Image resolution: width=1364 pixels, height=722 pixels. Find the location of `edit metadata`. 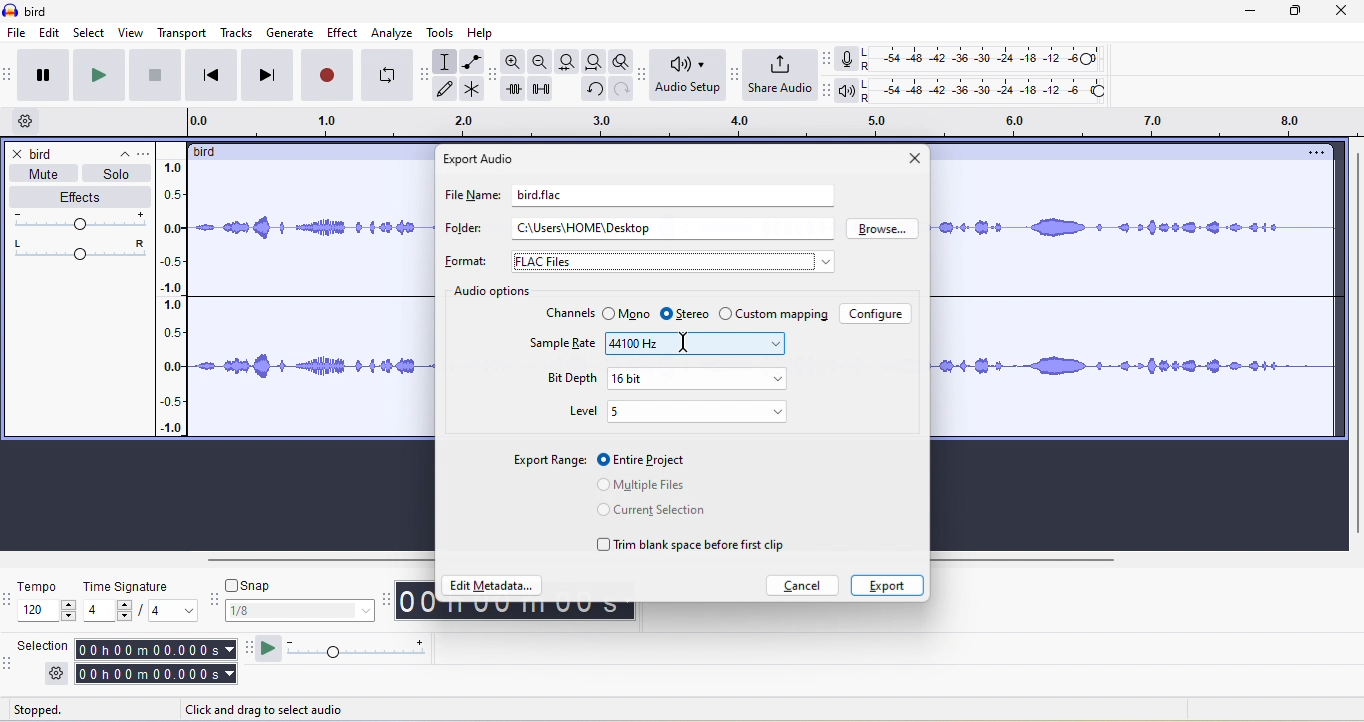

edit metadata is located at coordinates (494, 587).